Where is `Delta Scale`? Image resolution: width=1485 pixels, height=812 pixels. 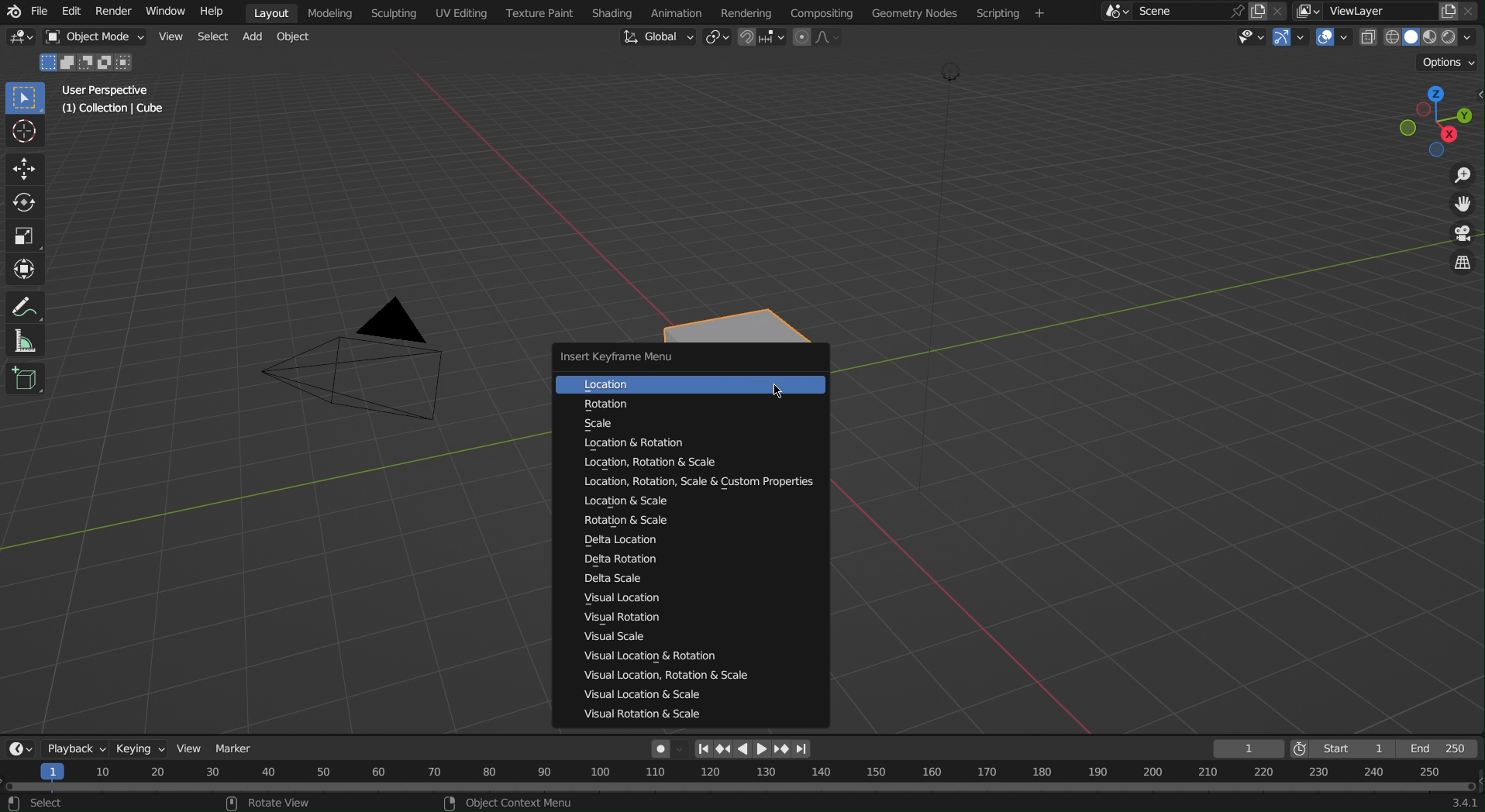 Delta Scale is located at coordinates (620, 580).